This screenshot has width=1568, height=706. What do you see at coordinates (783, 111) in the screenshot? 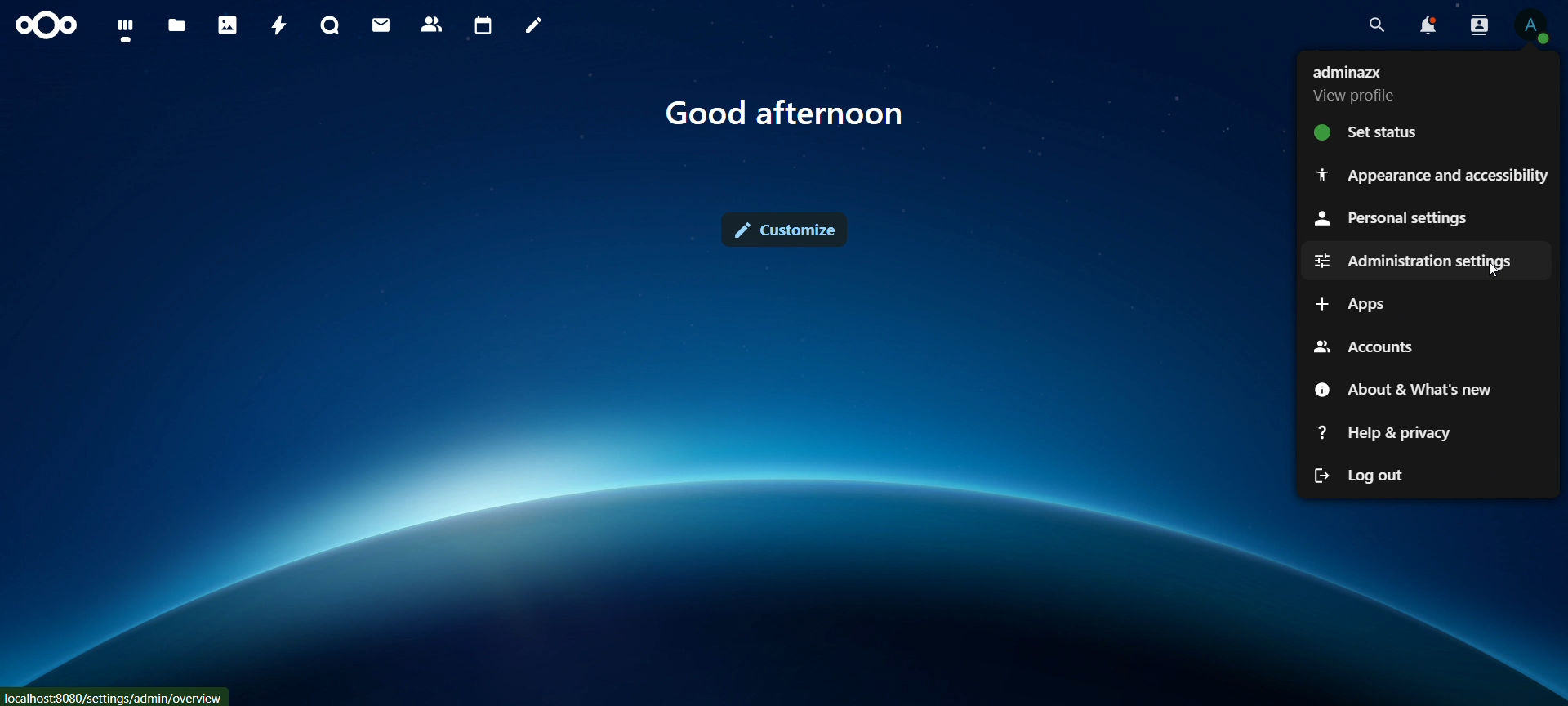
I see `text` at bounding box center [783, 111].